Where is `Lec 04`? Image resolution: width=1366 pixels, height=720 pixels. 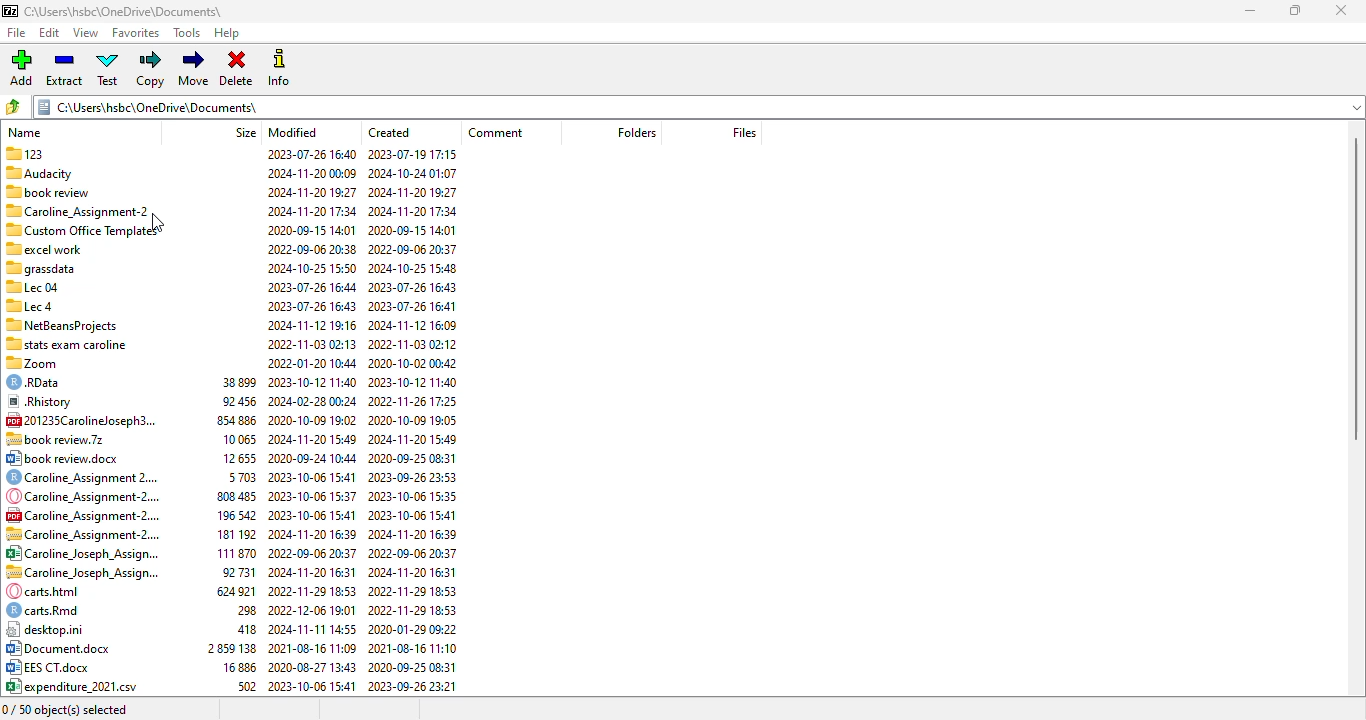 Lec 04 is located at coordinates (35, 289).